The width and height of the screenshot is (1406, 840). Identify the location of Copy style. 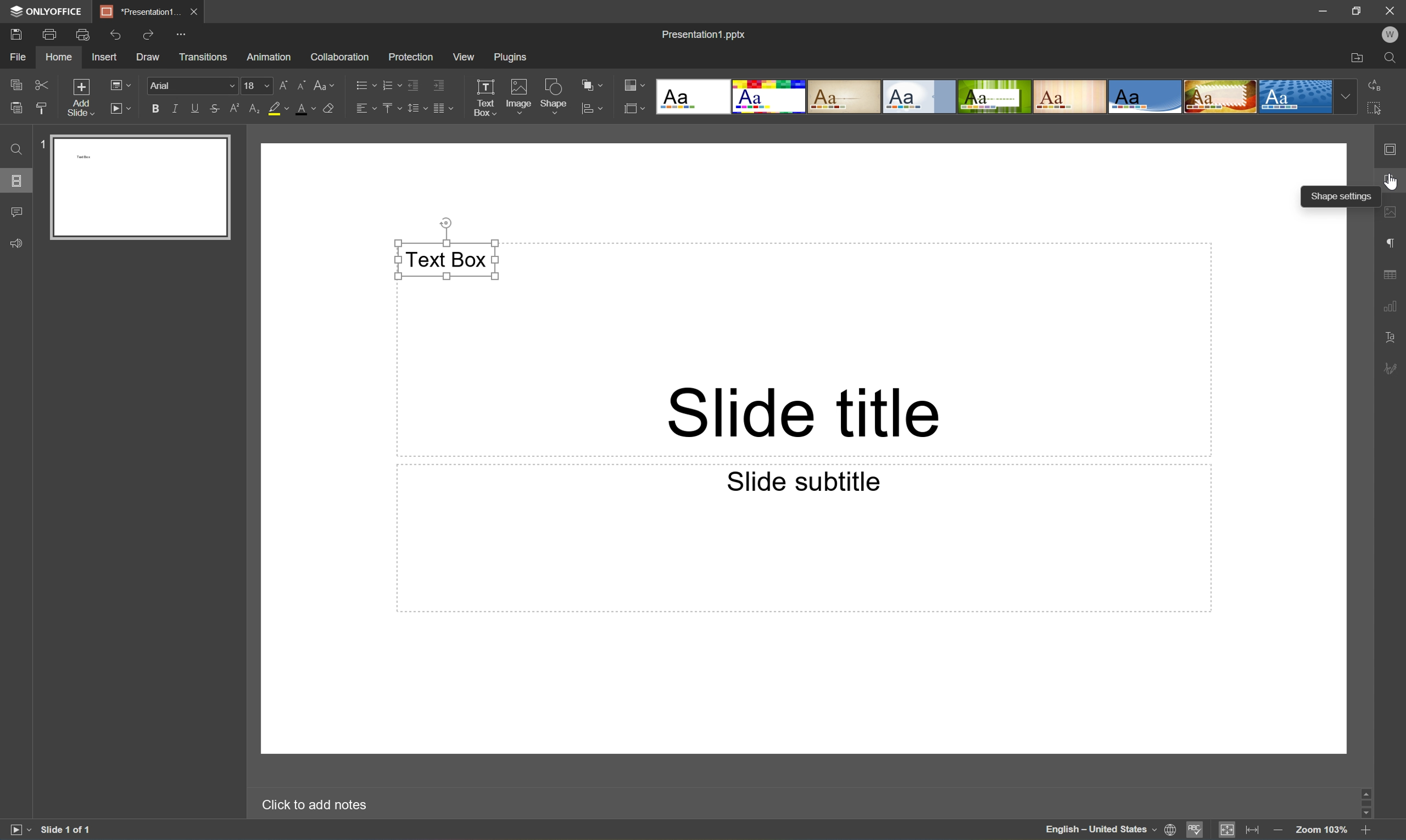
(42, 109).